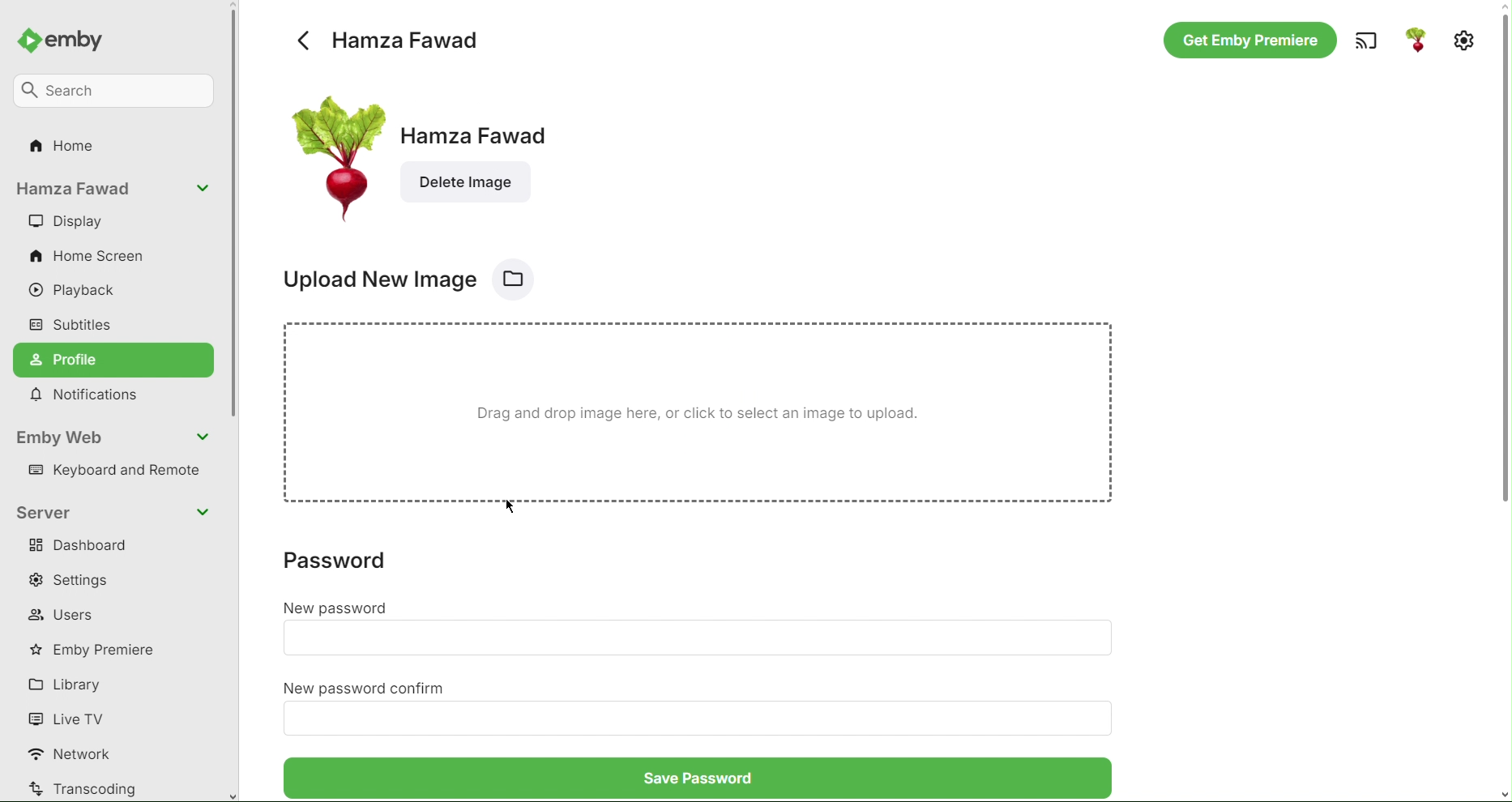  Describe the element at coordinates (73, 323) in the screenshot. I see `Subtitles` at that location.